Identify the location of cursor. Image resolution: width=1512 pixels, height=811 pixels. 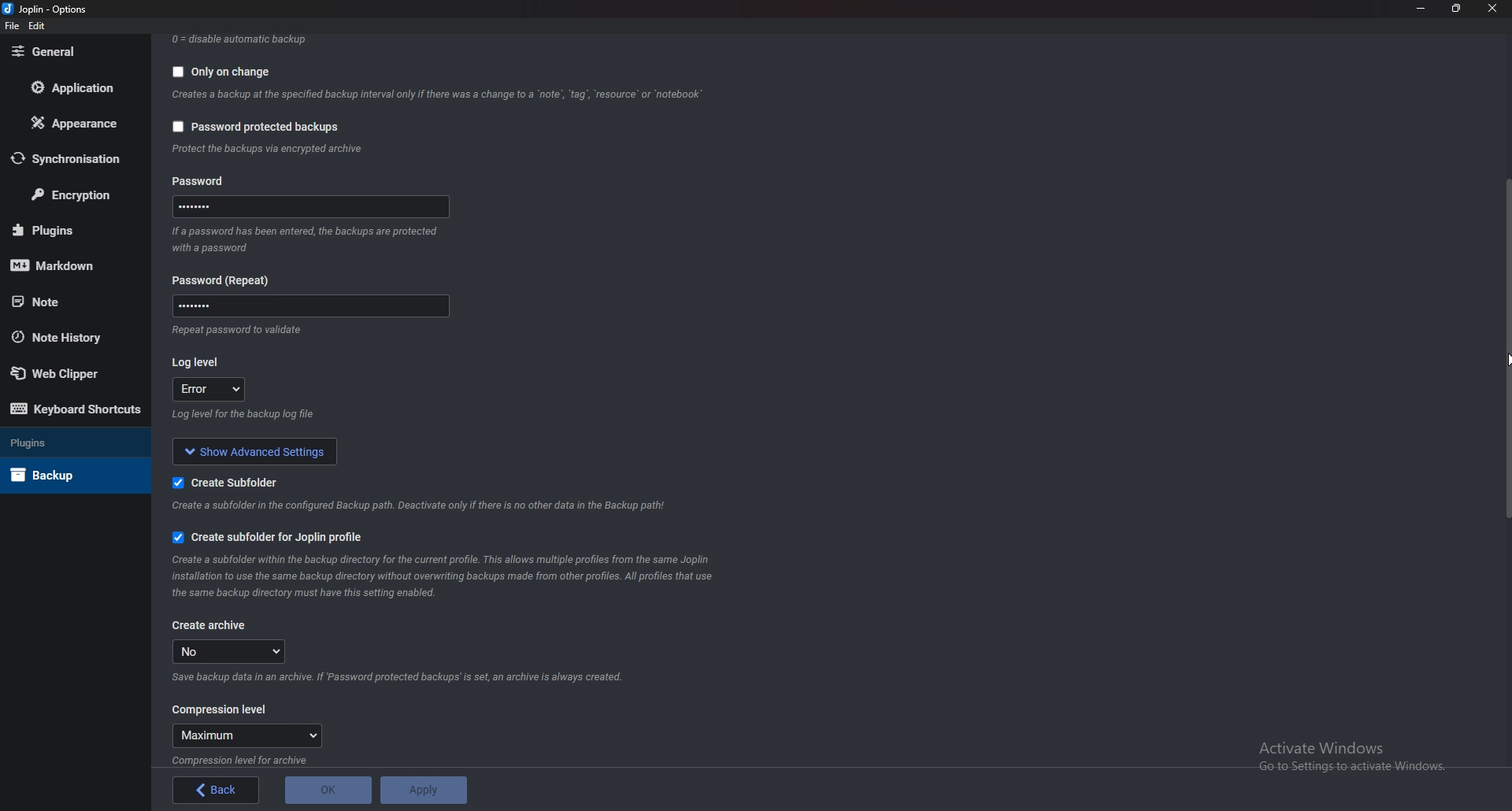
(1503, 363).